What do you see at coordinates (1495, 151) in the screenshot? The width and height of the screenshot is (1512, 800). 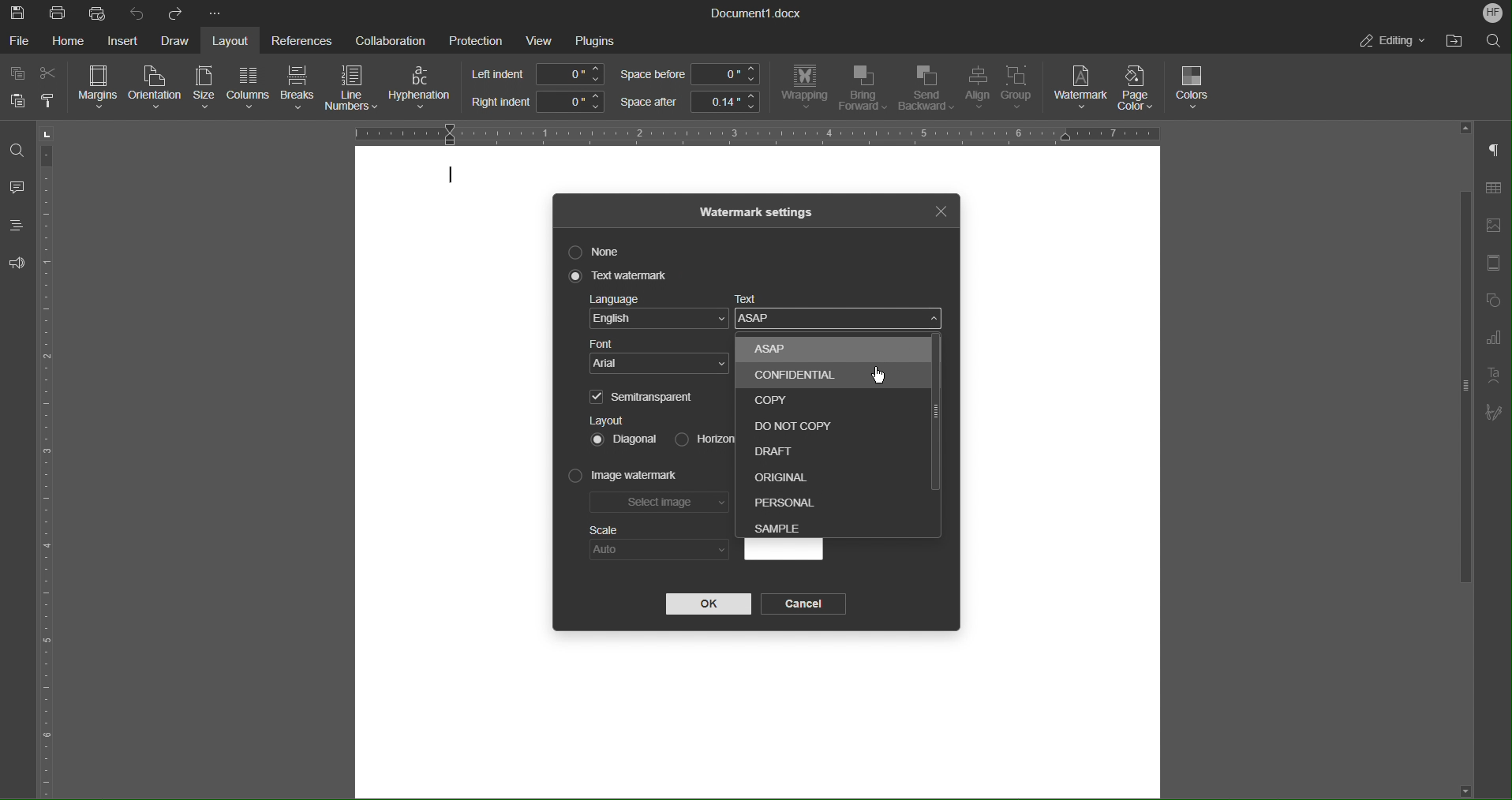 I see `Non-Printing Characters` at bounding box center [1495, 151].